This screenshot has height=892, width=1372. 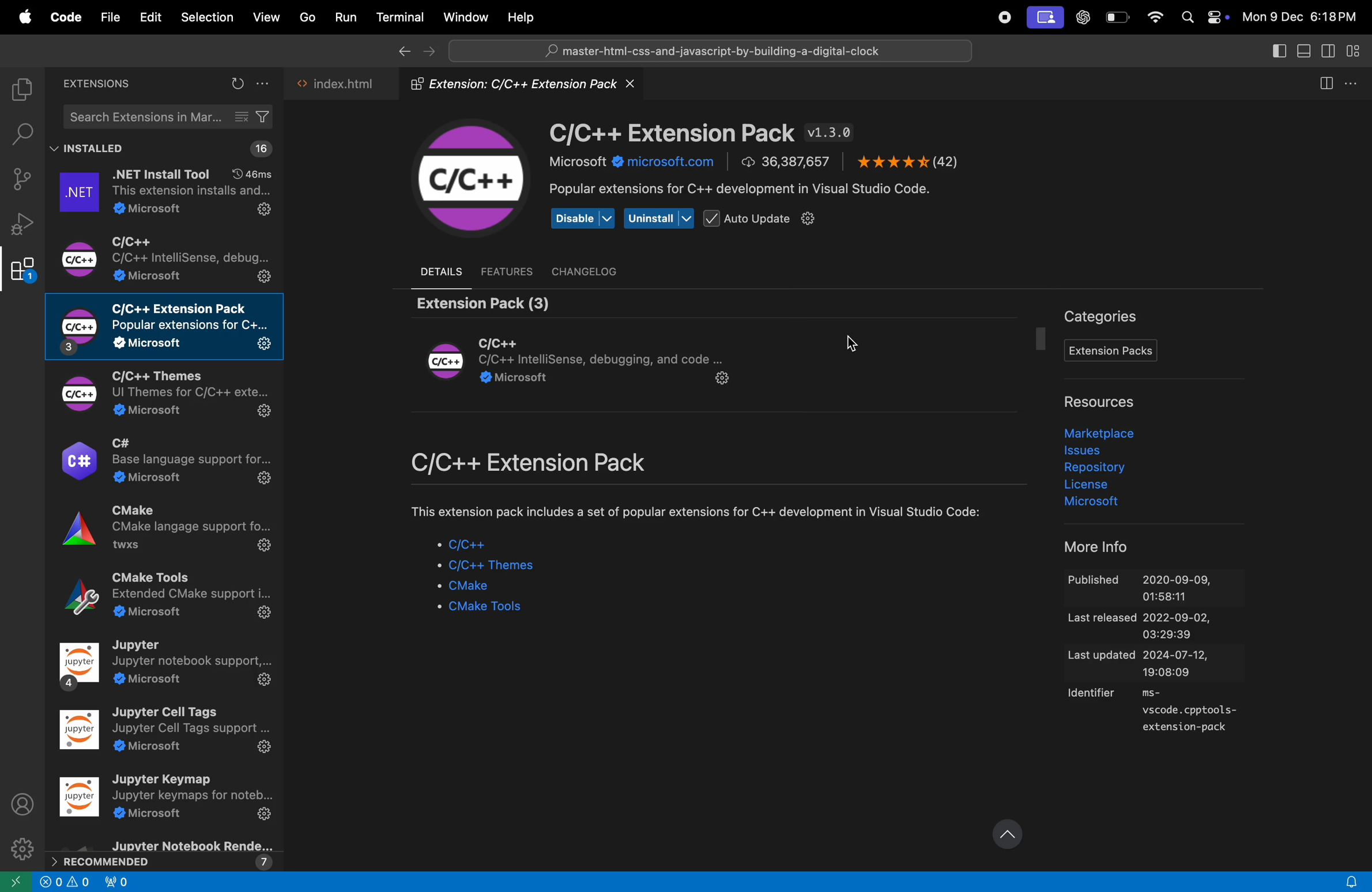 I want to click on Auto update, so click(x=767, y=219).